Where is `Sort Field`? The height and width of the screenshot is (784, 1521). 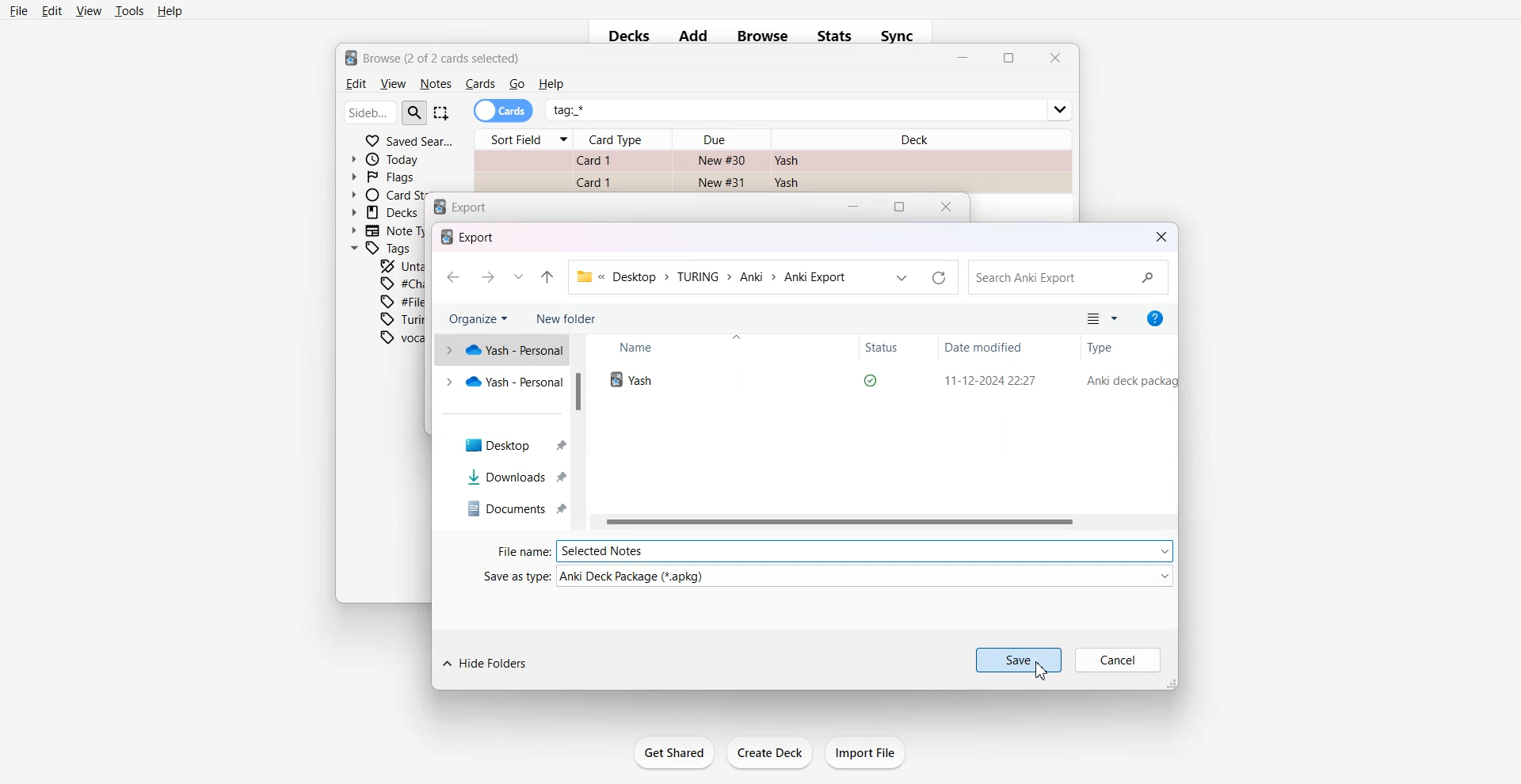 Sort Field is located at coordinates (523, 139).